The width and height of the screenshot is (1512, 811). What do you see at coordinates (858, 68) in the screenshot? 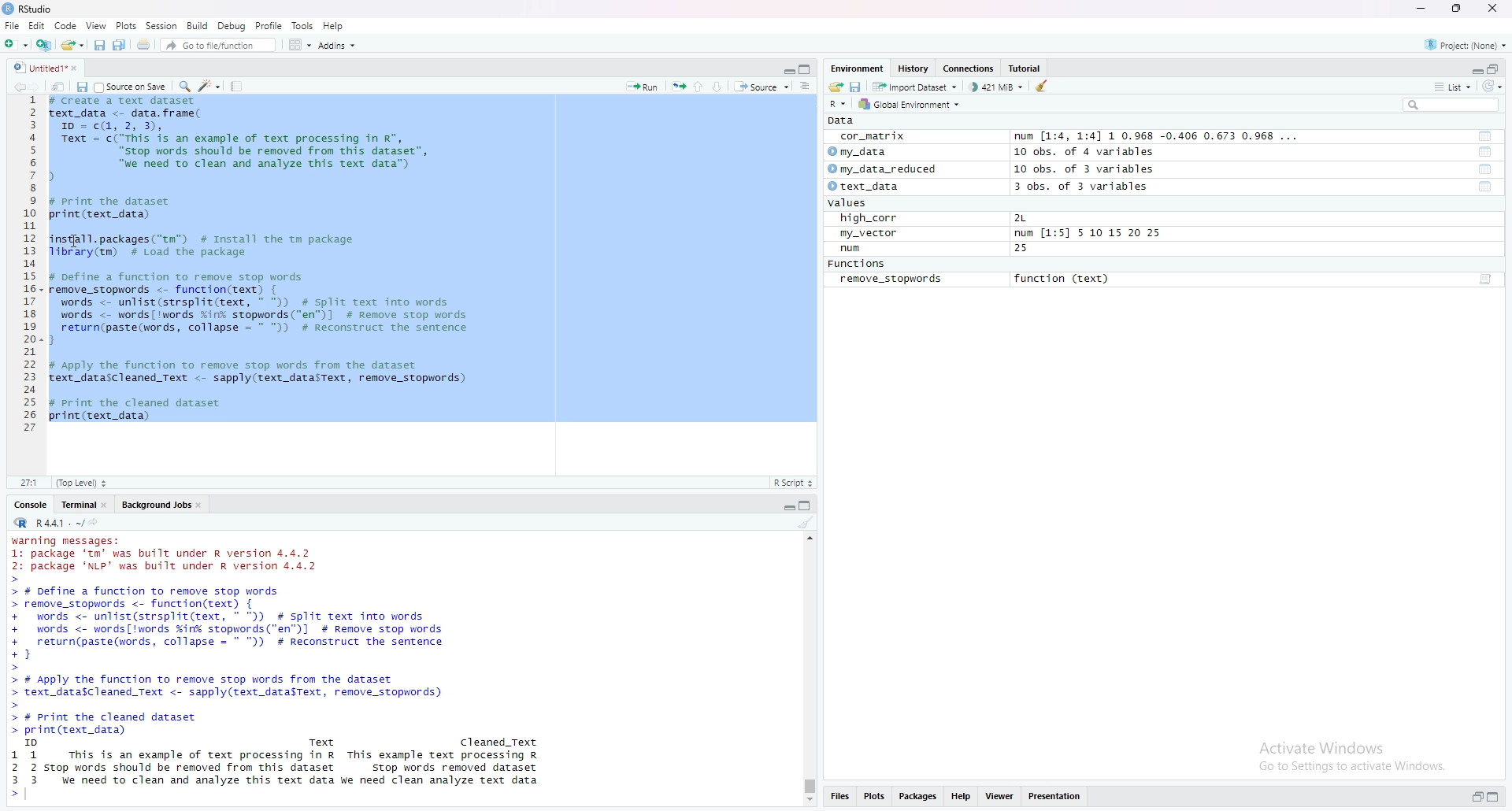
I see `Environment` at bounding box center [858, 68].